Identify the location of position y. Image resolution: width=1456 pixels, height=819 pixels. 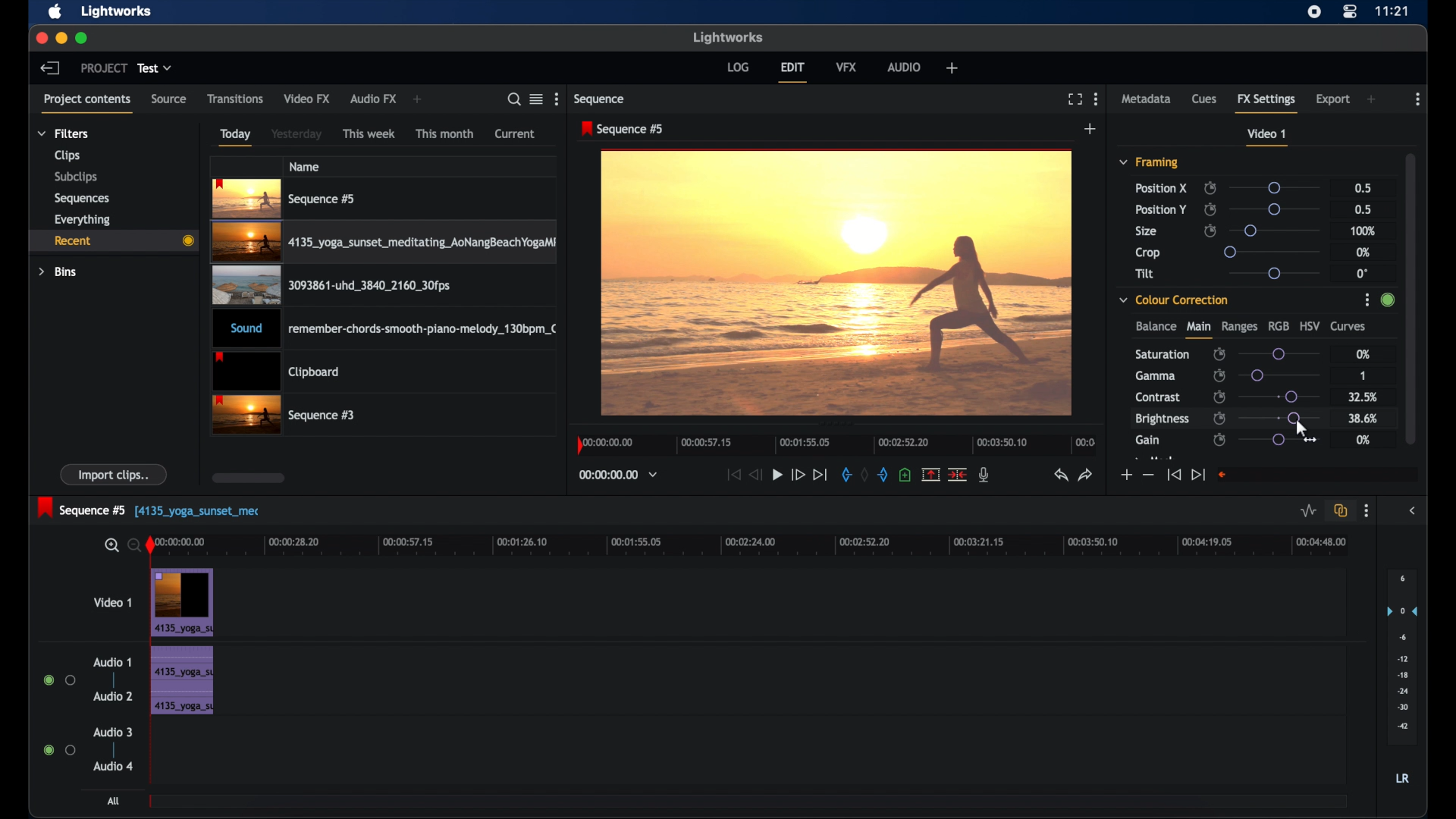
(1160, 209).